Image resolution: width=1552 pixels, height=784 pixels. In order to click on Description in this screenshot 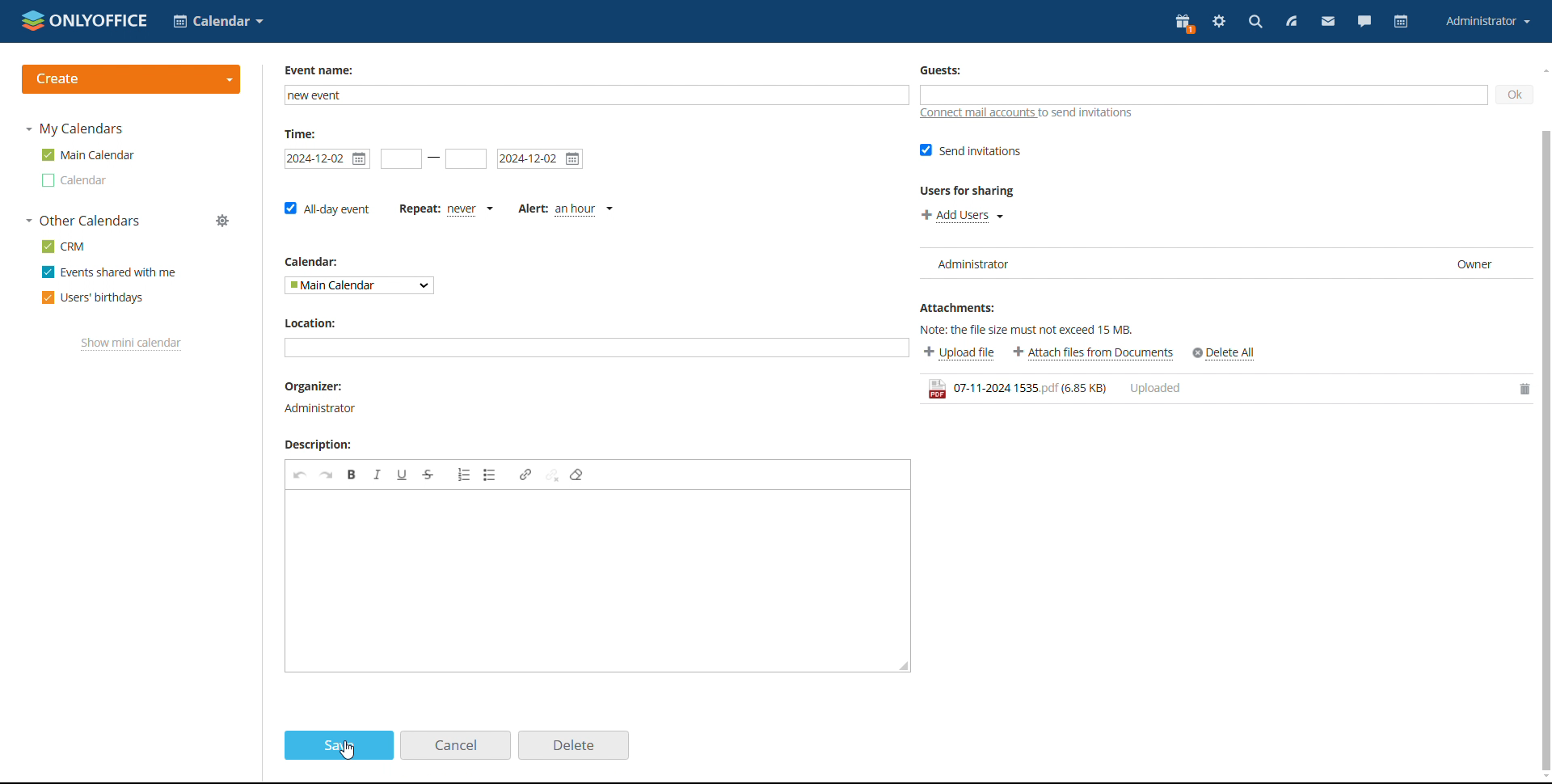, I will do `click(314, 445)`.